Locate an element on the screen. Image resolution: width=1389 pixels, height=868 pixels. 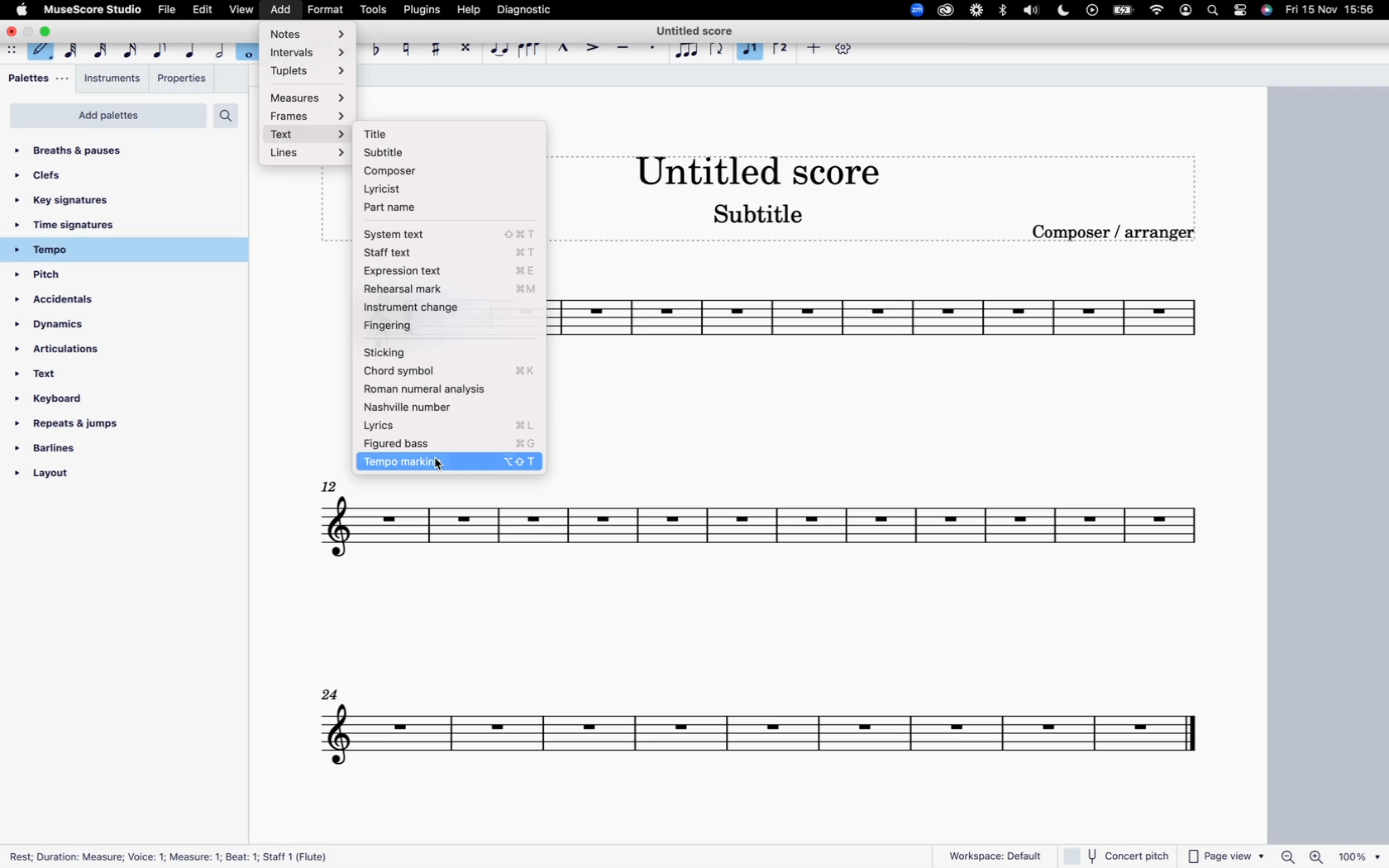
measures is located at coordinates (312, 95).